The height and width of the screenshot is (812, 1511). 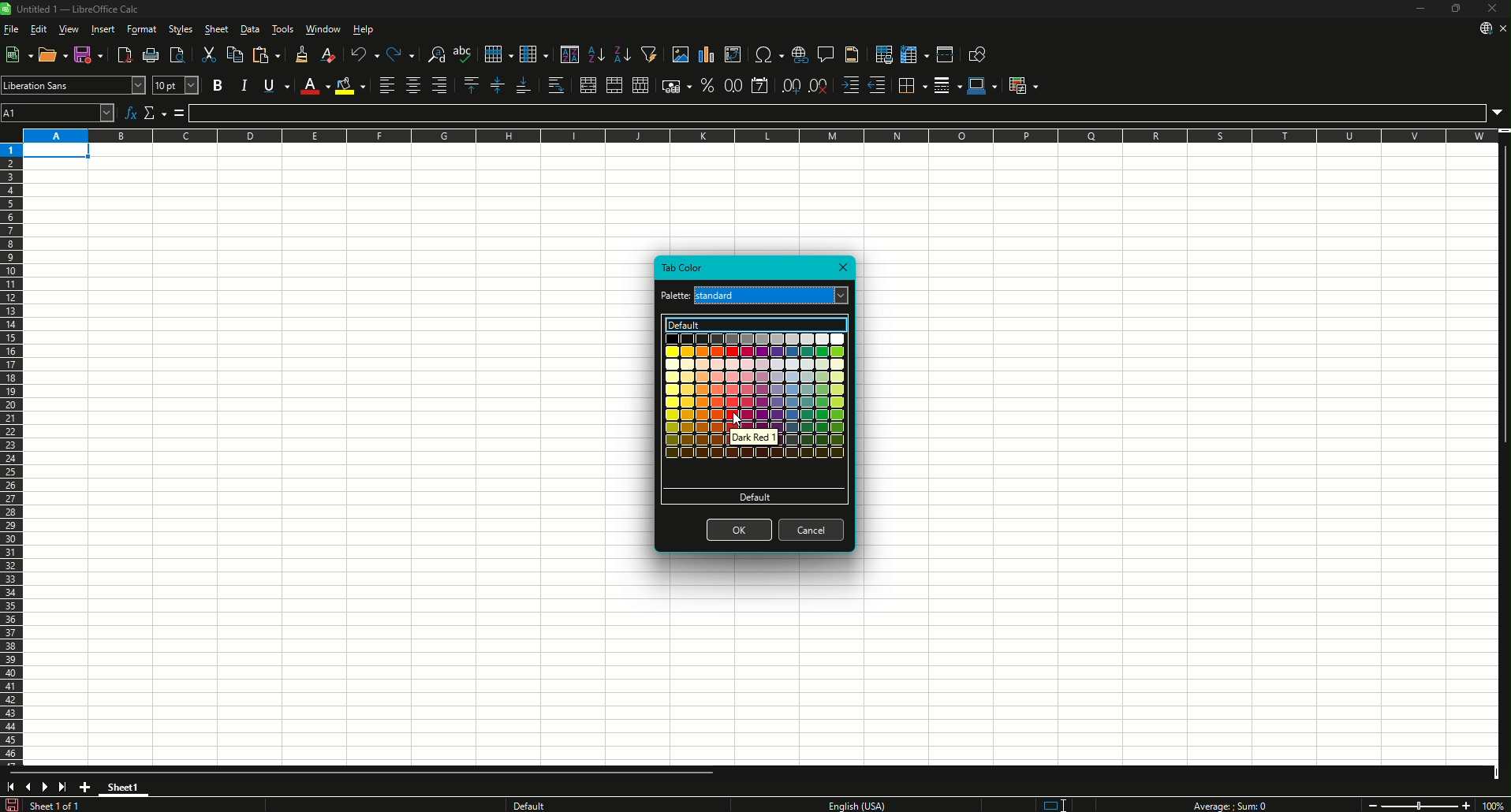 I want to click on Open, so click(x=53, y=54).